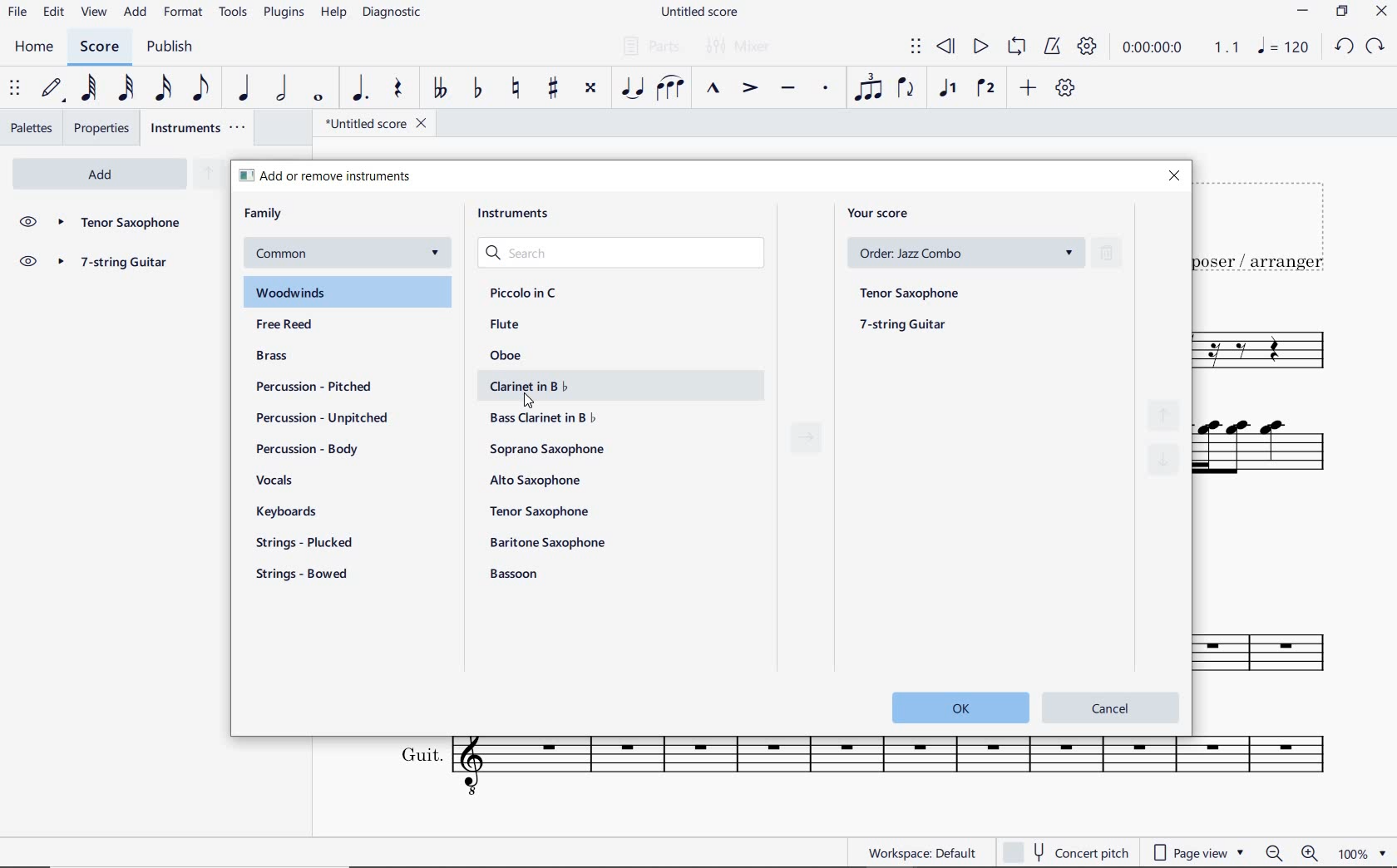  Describe the element at coordinates (397, 90) in the screenshot. I see `REST` at that location.